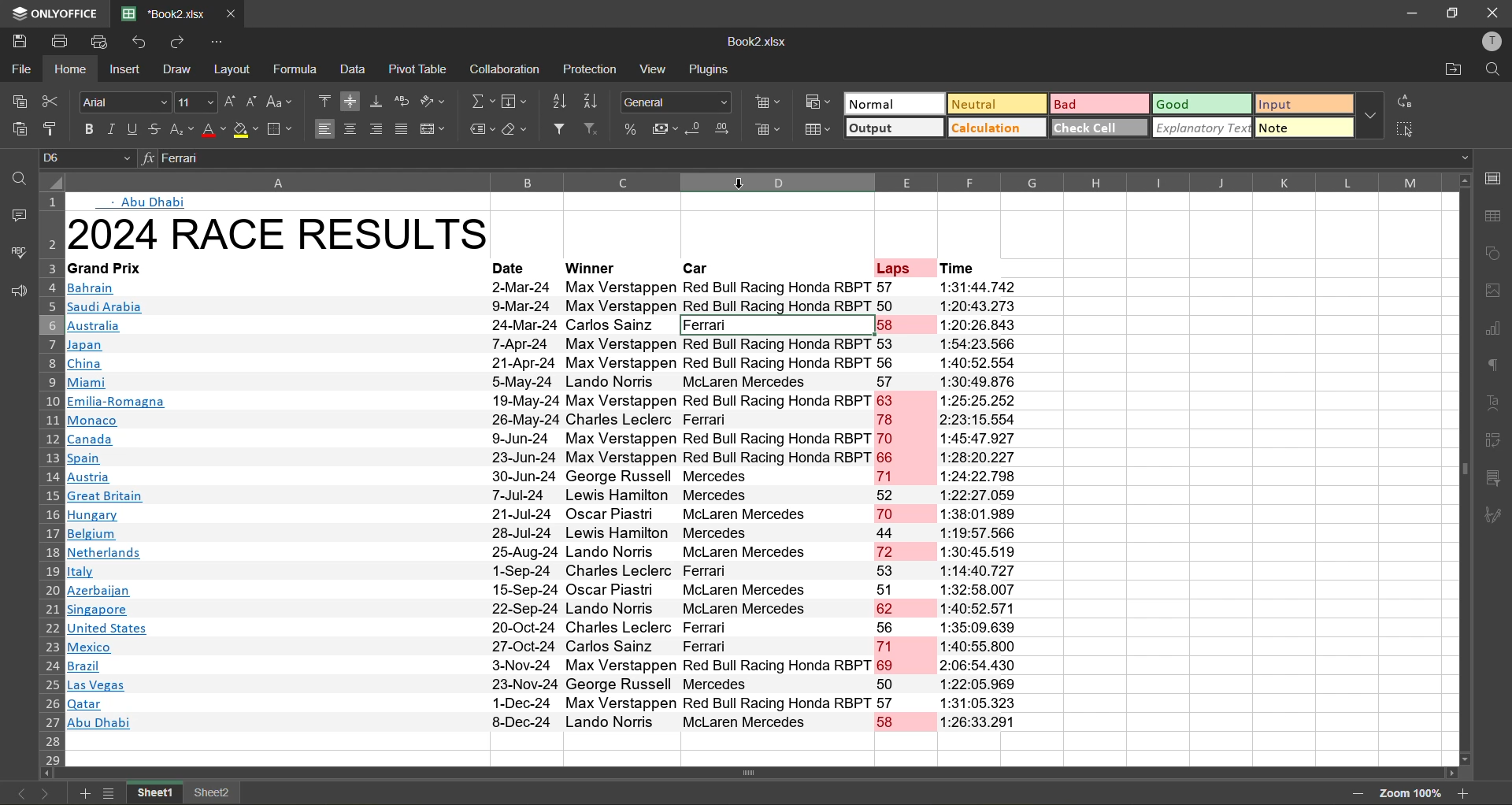  I want to click on A Mexico 27-Oct-24 Carlos Sainz Ferrari 71 1:40:55.800, so click(543, 647).